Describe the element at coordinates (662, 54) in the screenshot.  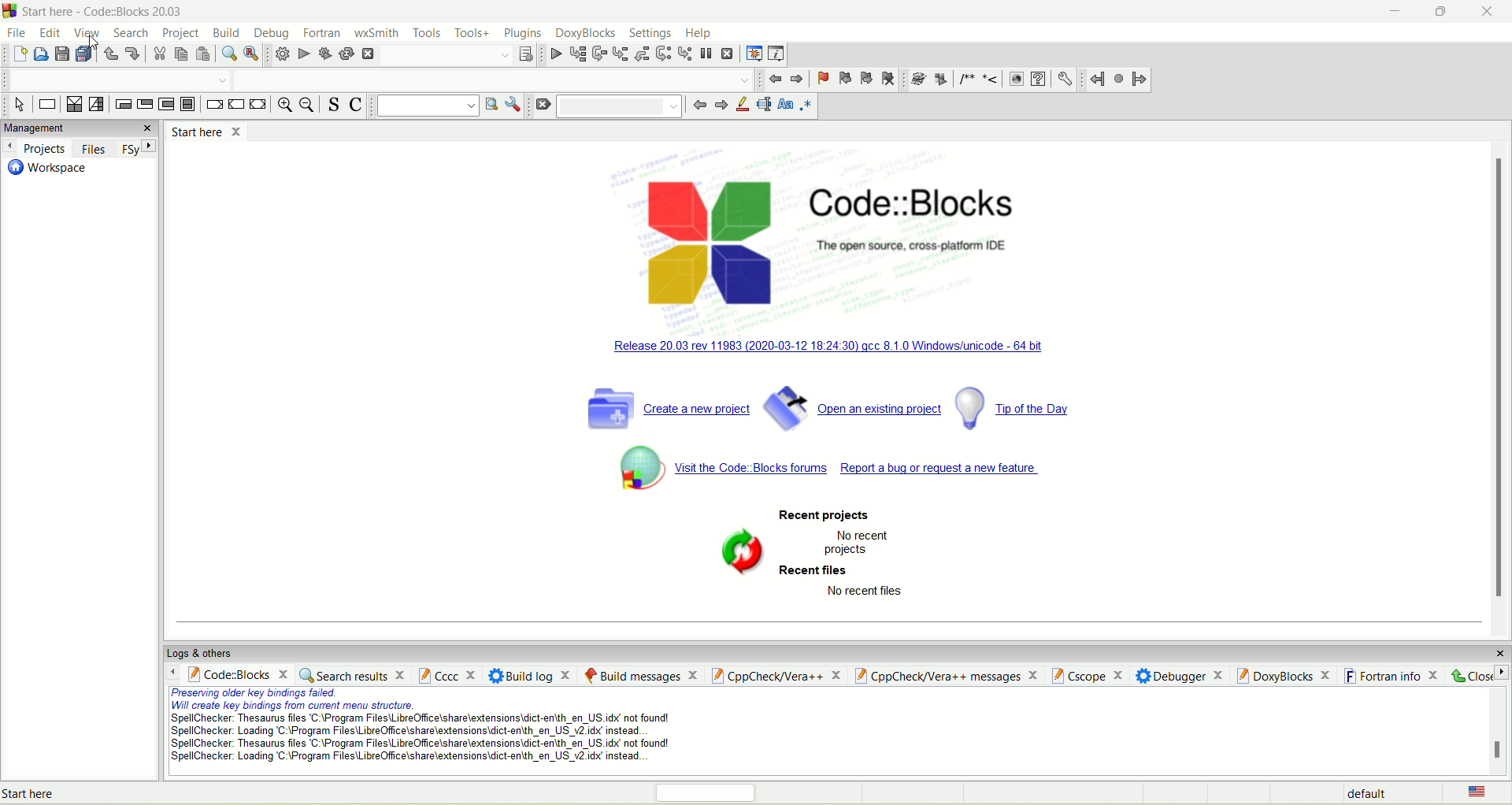
I see `next instruction` at that location.